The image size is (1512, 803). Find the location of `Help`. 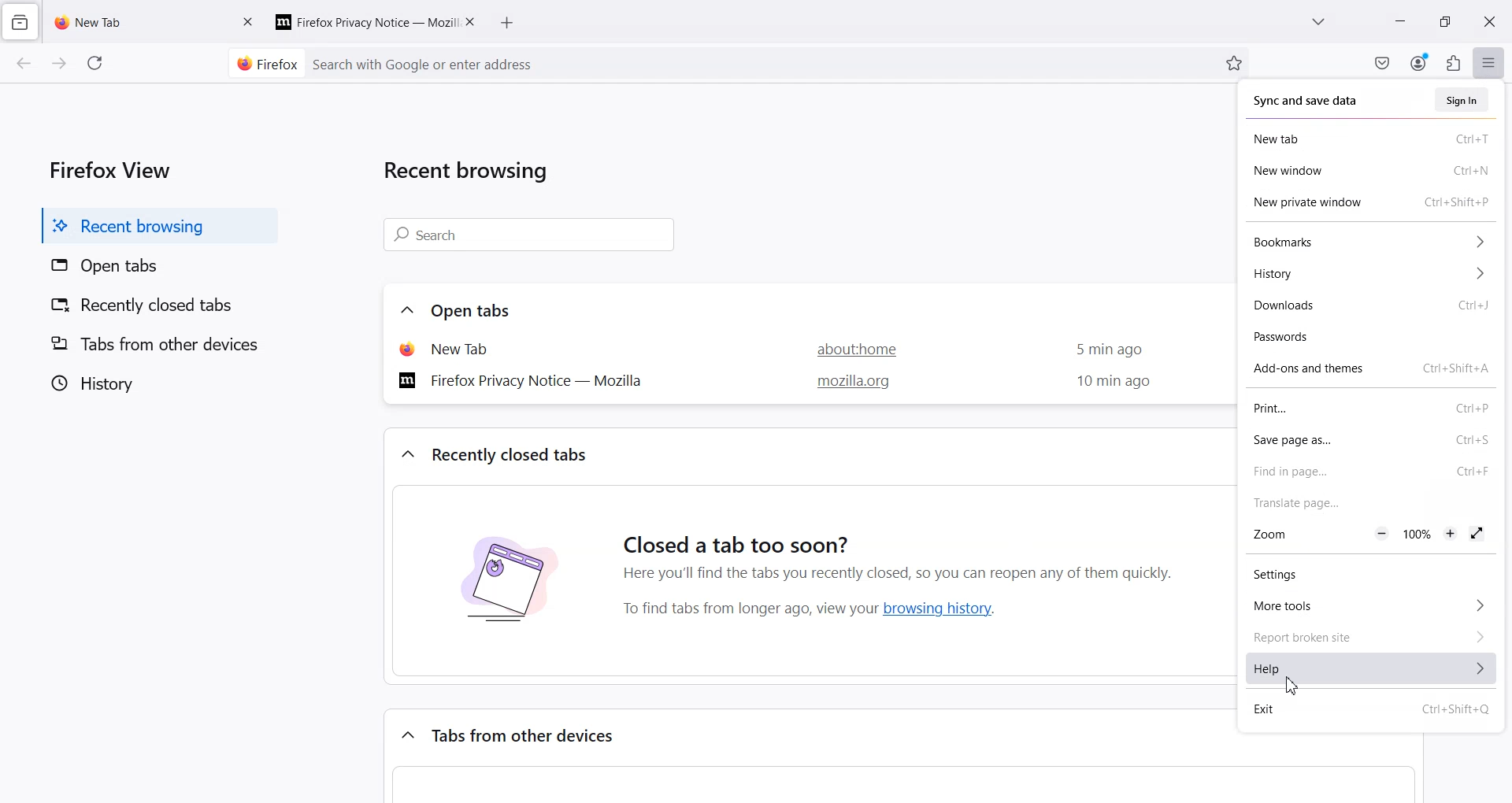

Help is located at coordinates (1370, 669).